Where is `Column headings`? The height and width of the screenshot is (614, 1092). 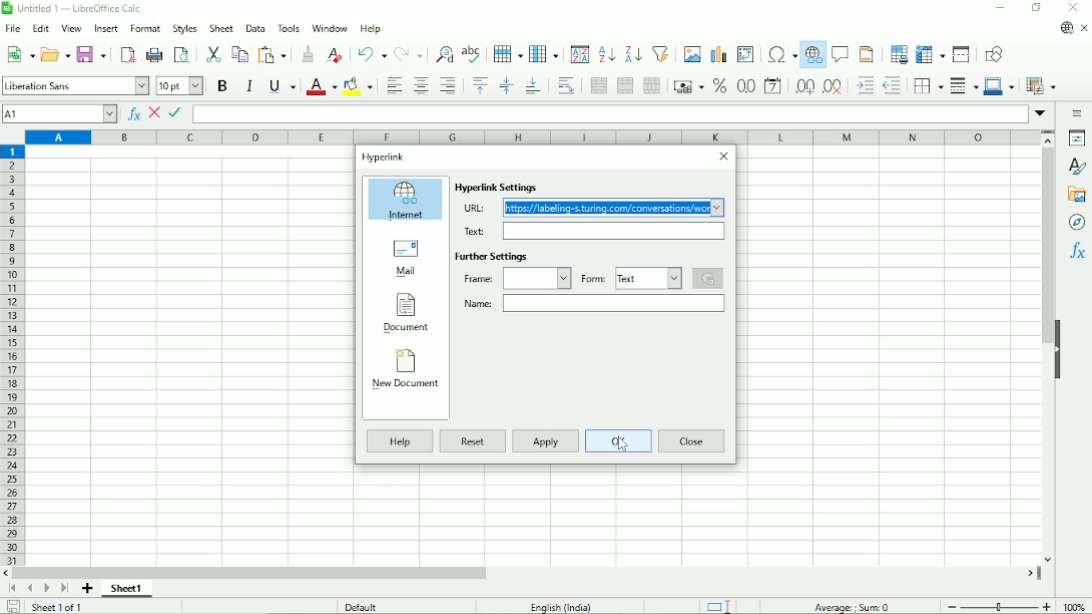
Column headings is located at coordinates (533, 138).